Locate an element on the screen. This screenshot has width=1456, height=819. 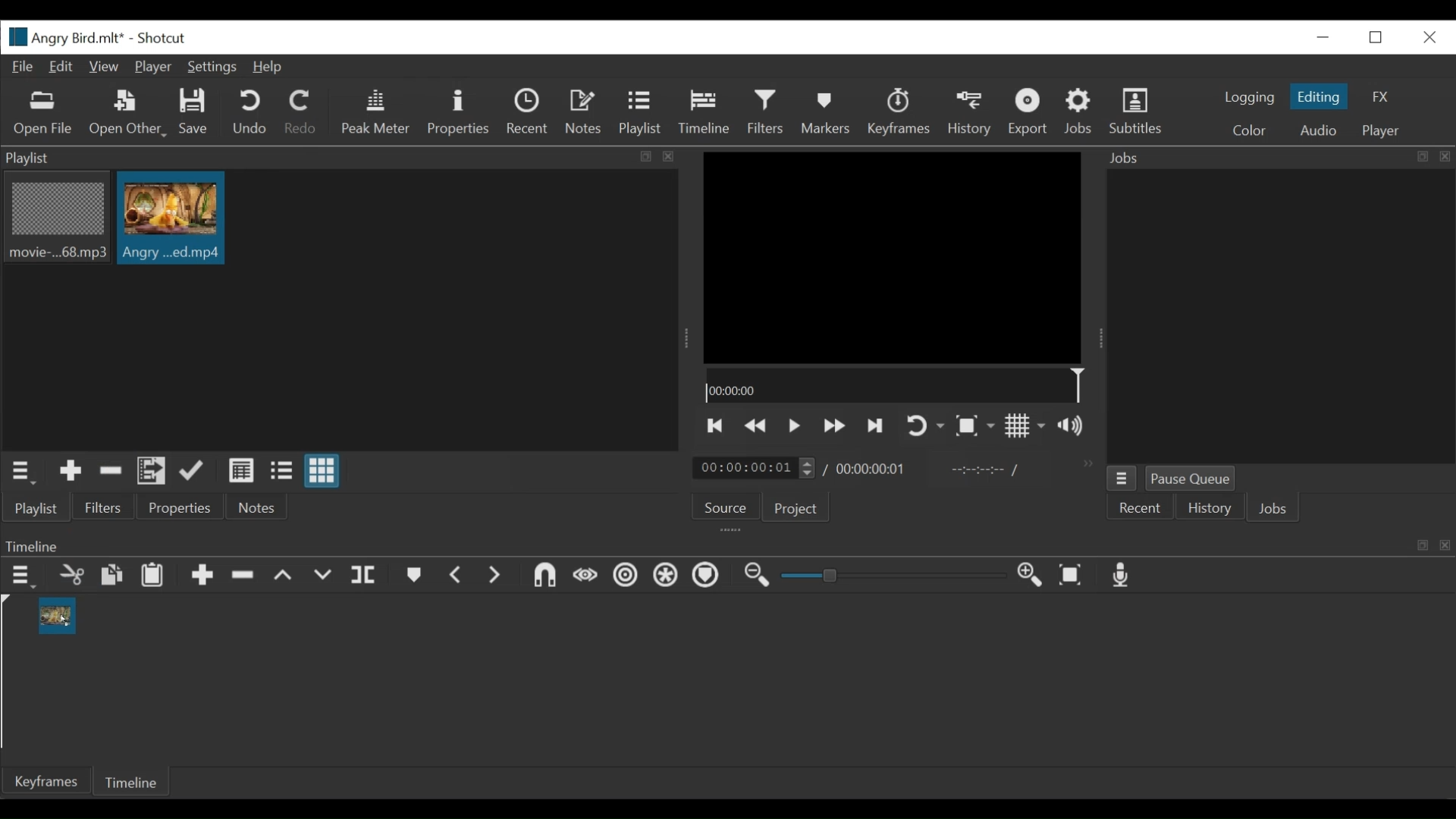
Playlist is located at coordinates (37, 509).